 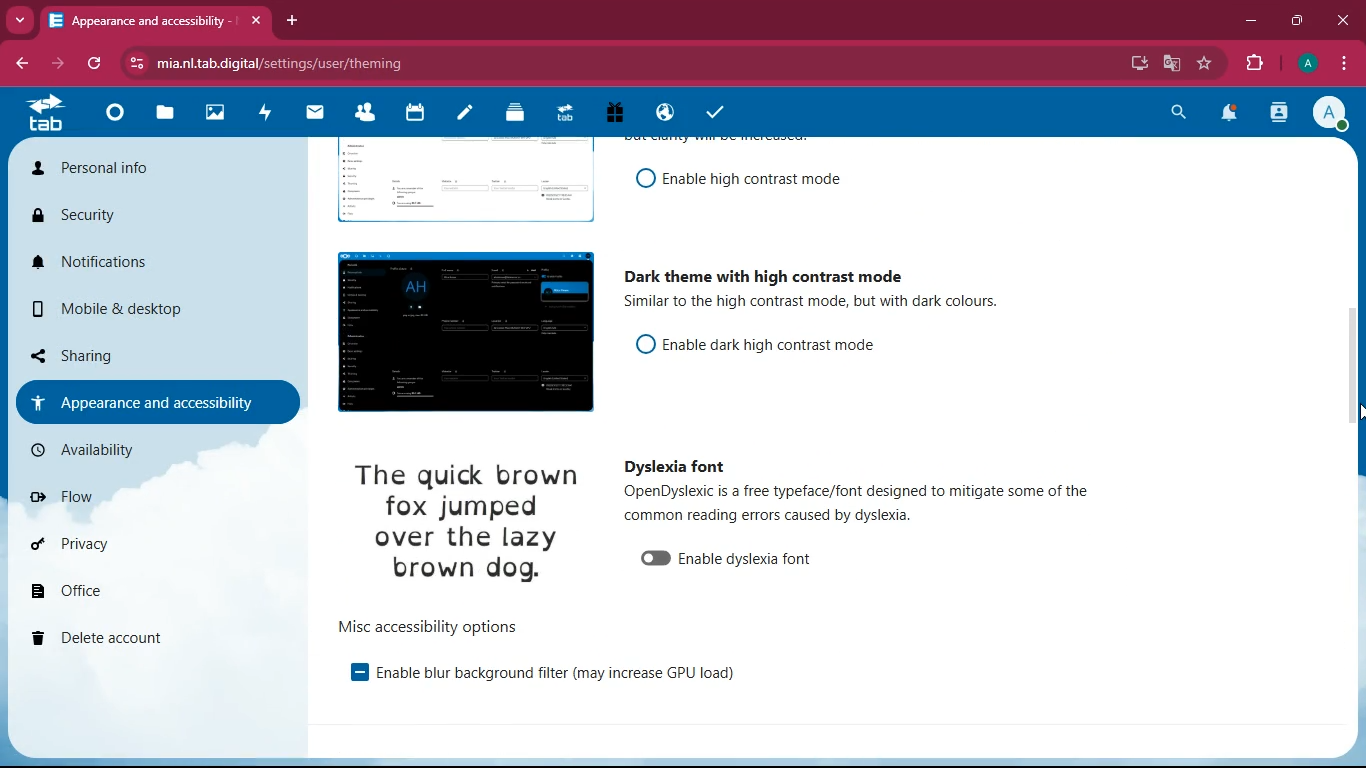 What do you see at coordinates (773, 341) in the screenshot?
I see `enable` at bounding box center [773, 341].